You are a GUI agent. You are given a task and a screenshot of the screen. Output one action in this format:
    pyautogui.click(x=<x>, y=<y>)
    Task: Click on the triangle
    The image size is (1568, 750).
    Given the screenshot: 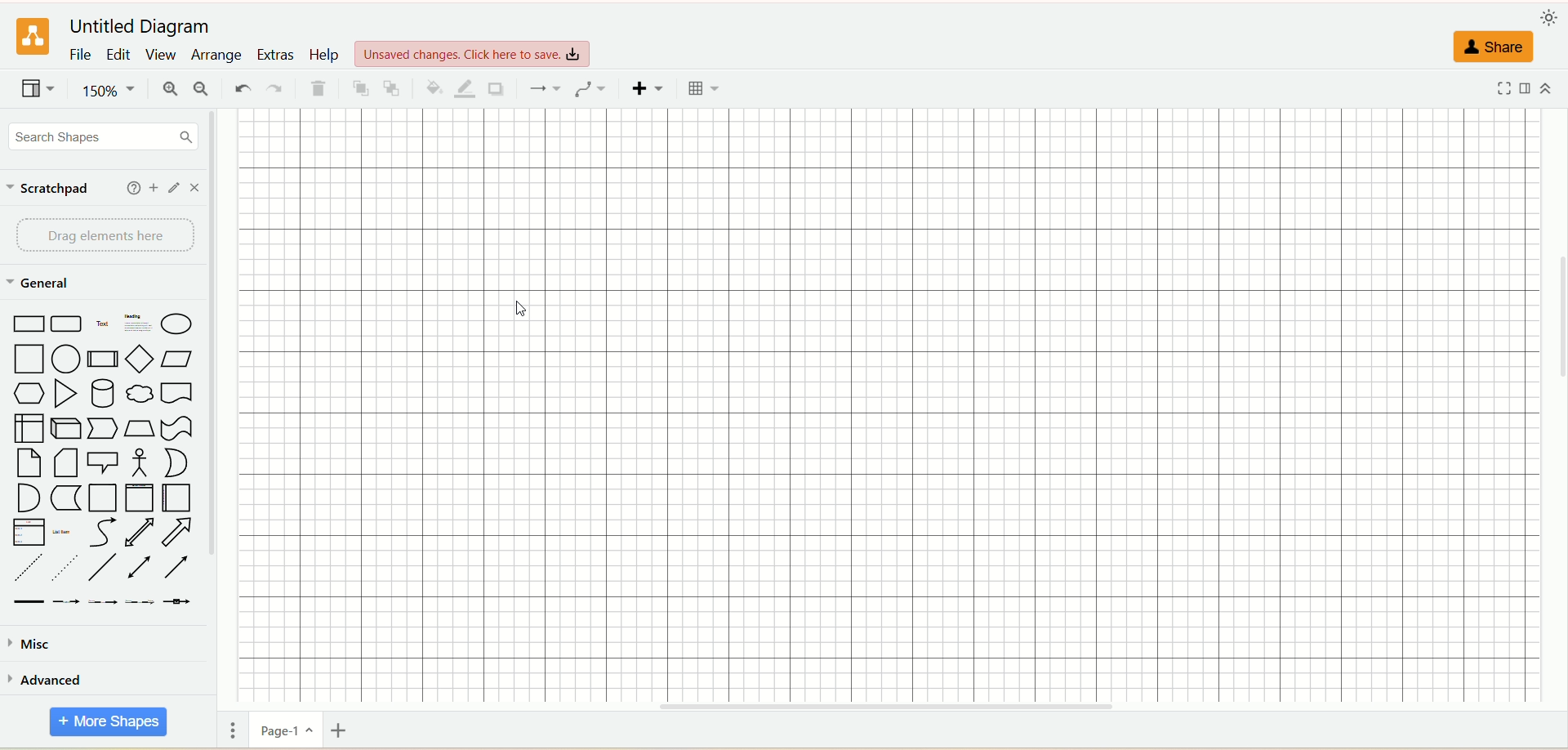 What is the action you would take?
    pyautogui.click(x=65, y=391)
    